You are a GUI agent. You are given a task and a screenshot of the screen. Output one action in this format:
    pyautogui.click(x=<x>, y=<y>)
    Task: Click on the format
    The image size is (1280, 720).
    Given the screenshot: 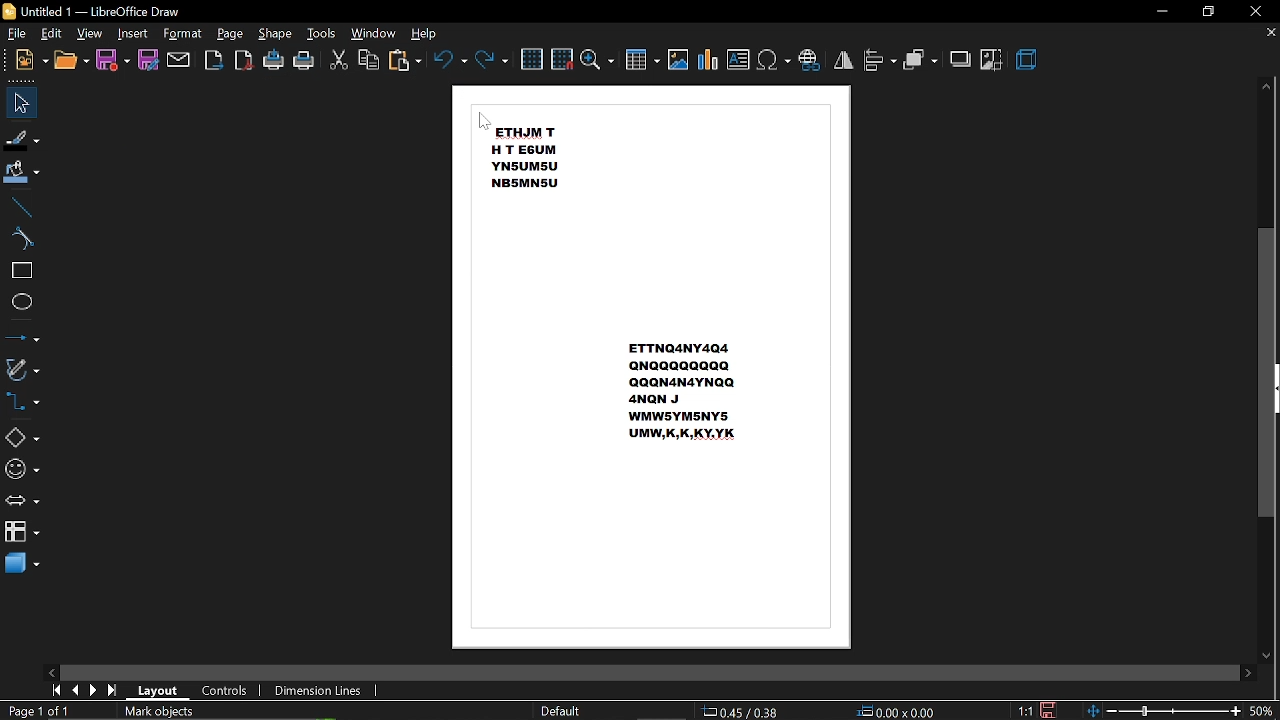 What is the action you would take?
    pyautogui.click(x=183, y=34)
    